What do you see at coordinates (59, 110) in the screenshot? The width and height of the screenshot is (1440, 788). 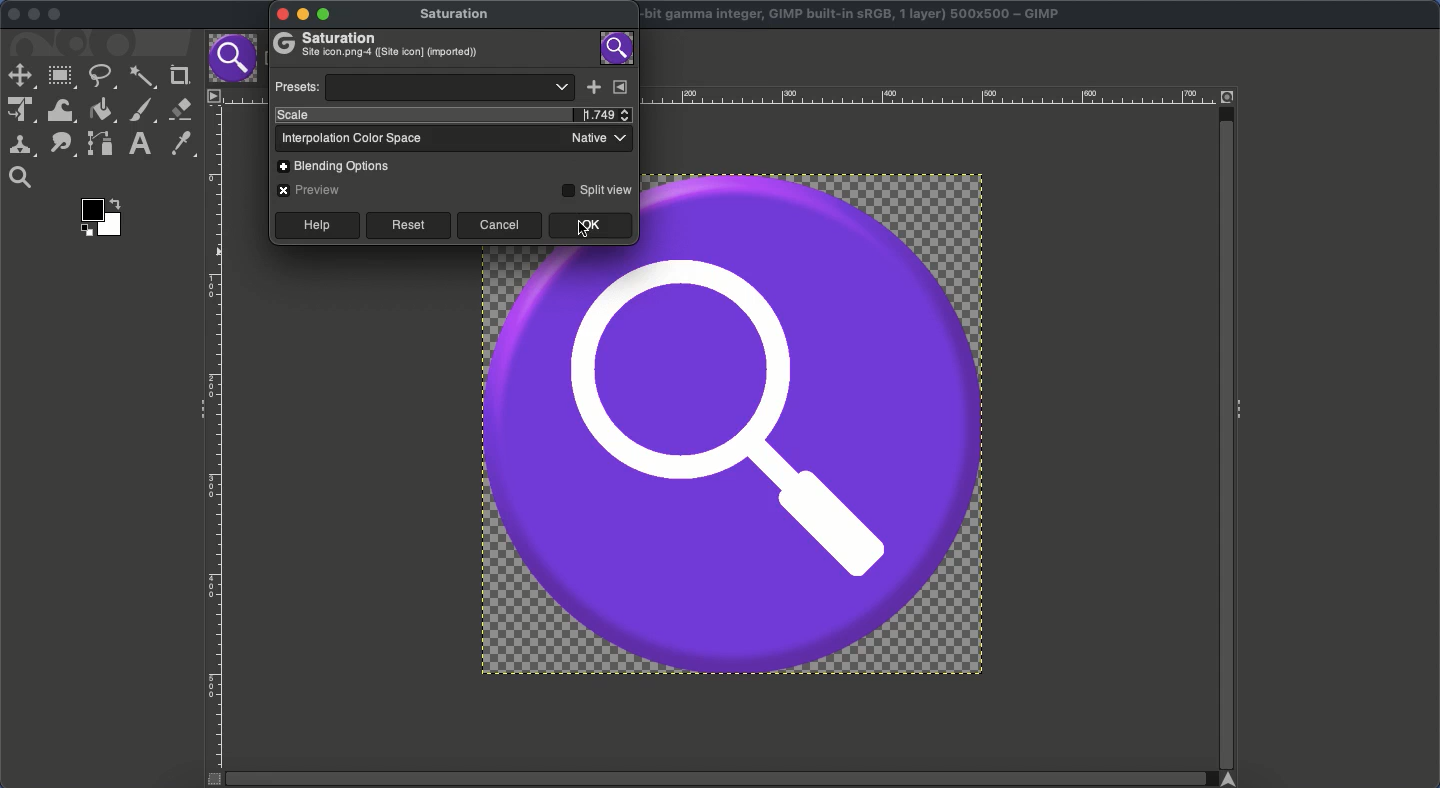 I see `Warp transformation` at bounding box center [59, 110].